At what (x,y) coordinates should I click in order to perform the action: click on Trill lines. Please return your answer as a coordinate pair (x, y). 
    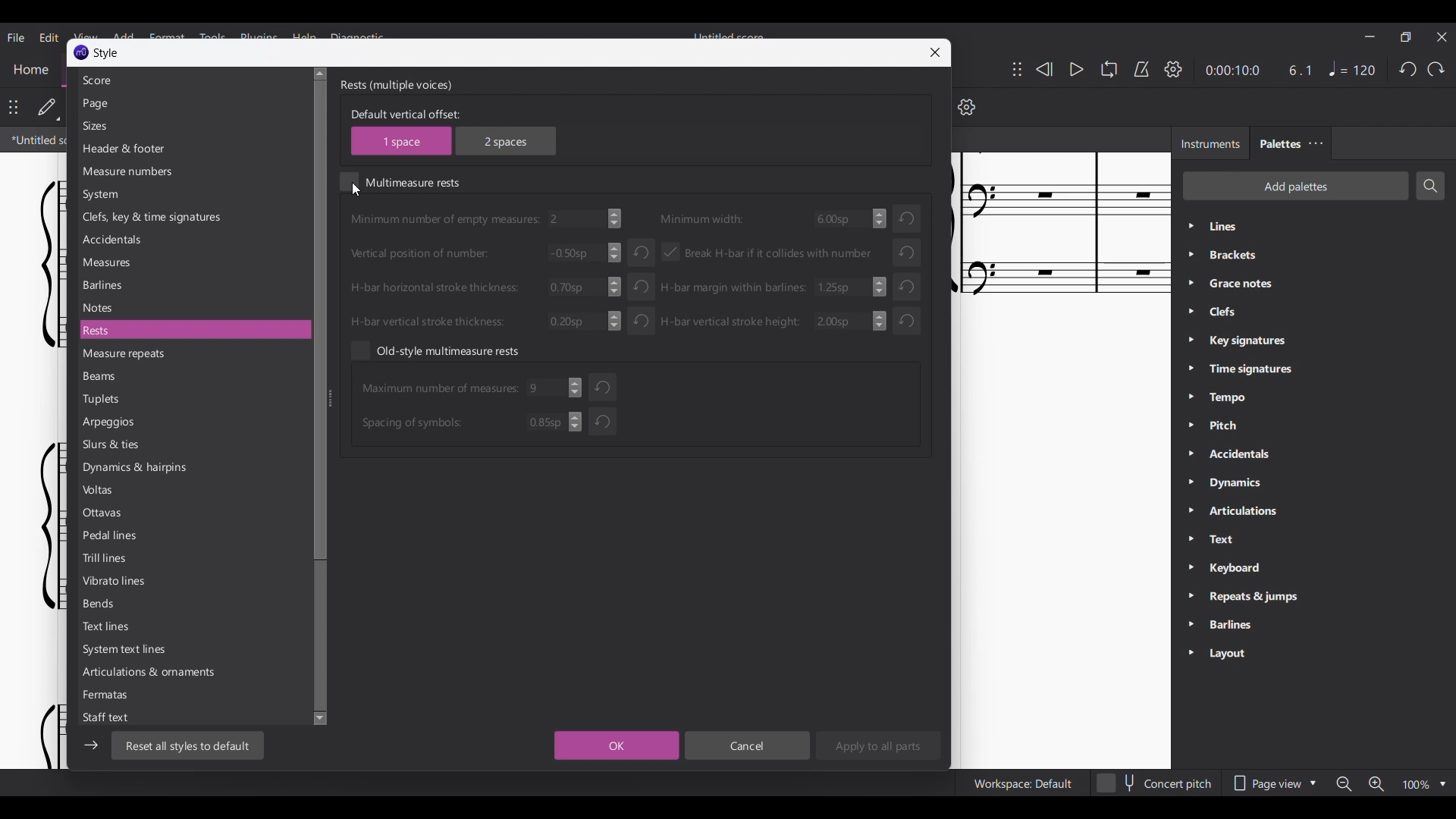
    Looking at the image, I should click on (192, 558).